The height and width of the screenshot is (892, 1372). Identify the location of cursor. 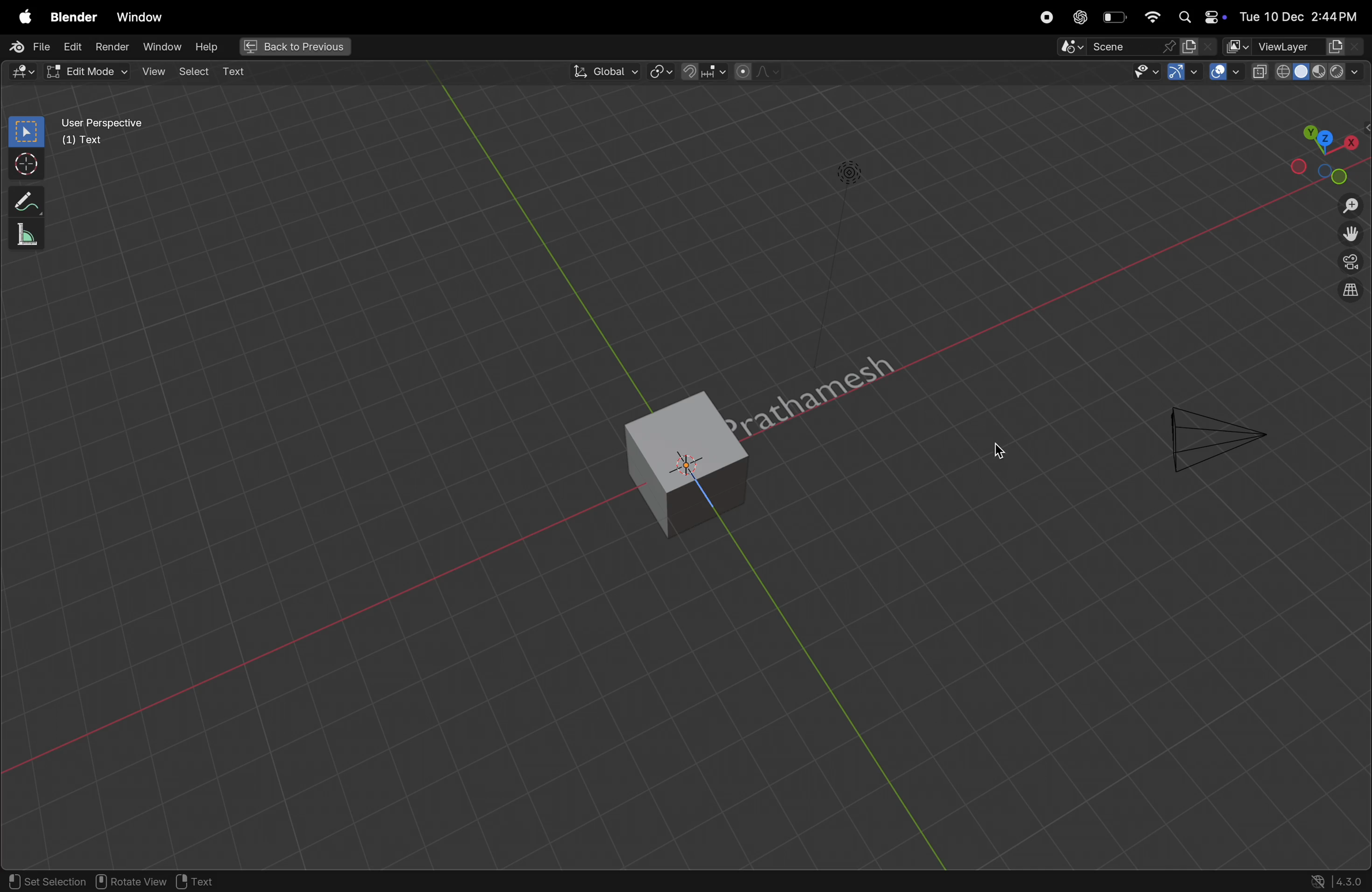
(994, 453).